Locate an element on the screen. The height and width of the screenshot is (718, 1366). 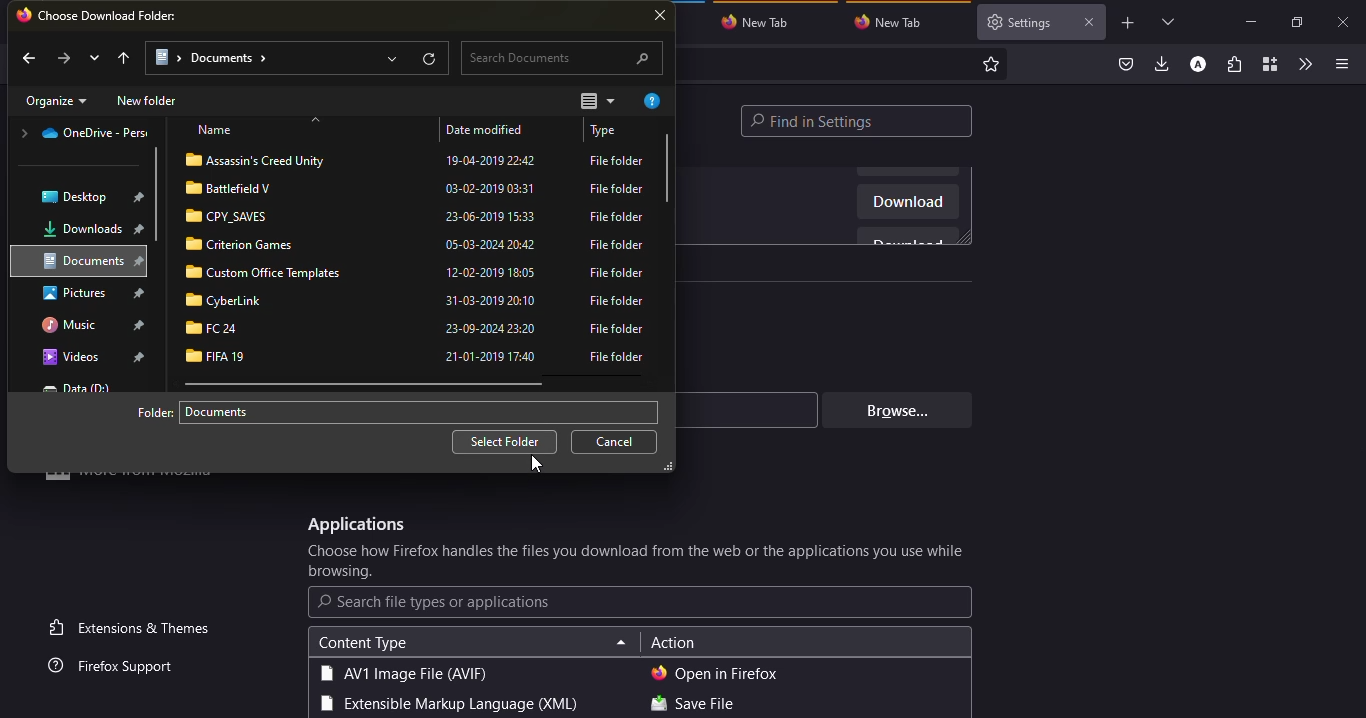
drag to is located at coordinates (1361, 411).